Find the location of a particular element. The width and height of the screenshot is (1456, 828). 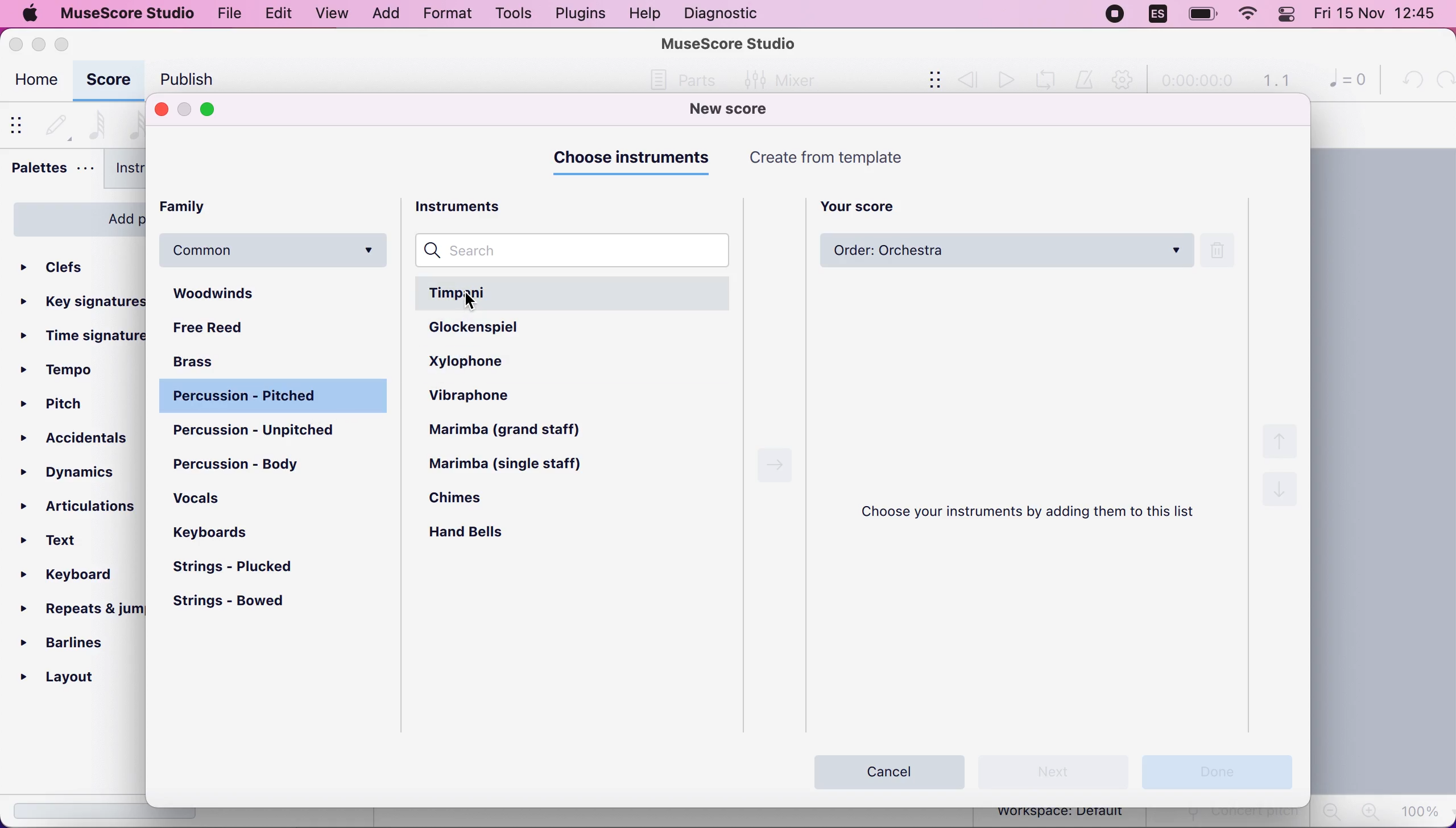

marimba (grand staff) is located at coordinates (520, 431).